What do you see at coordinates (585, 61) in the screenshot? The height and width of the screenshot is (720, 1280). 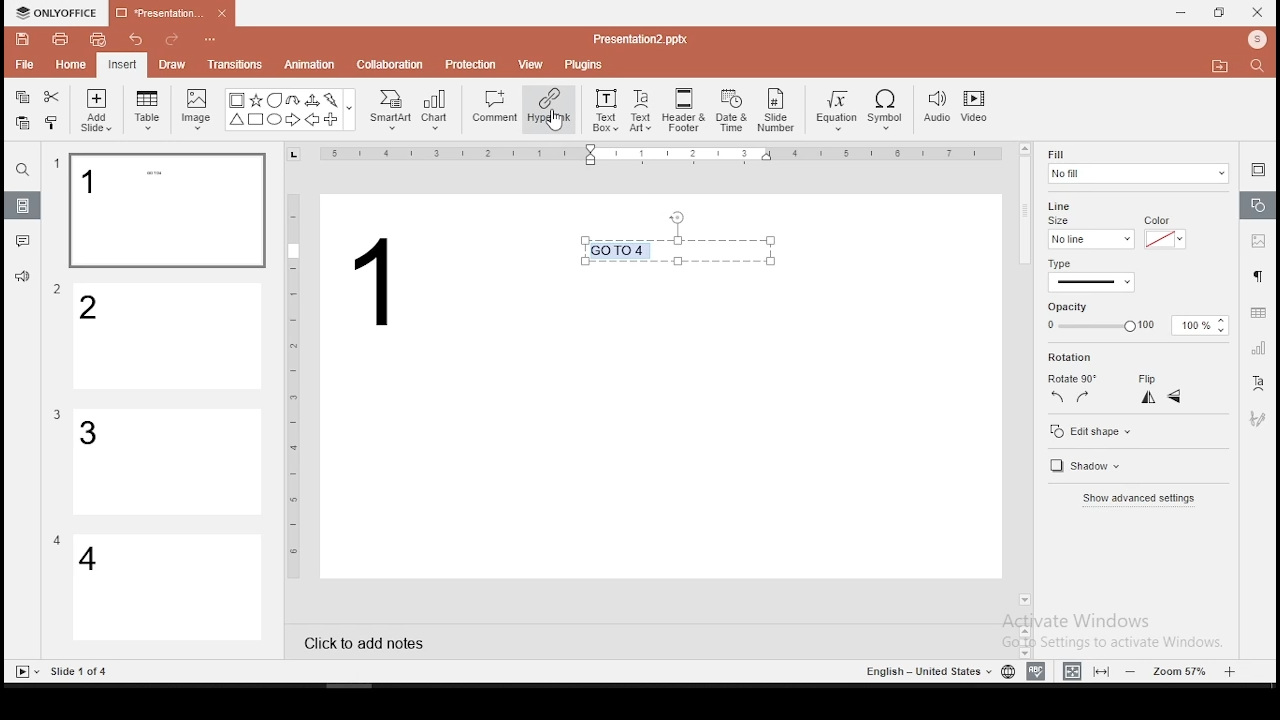 I see `plugins` at bounding box center [585, 61].